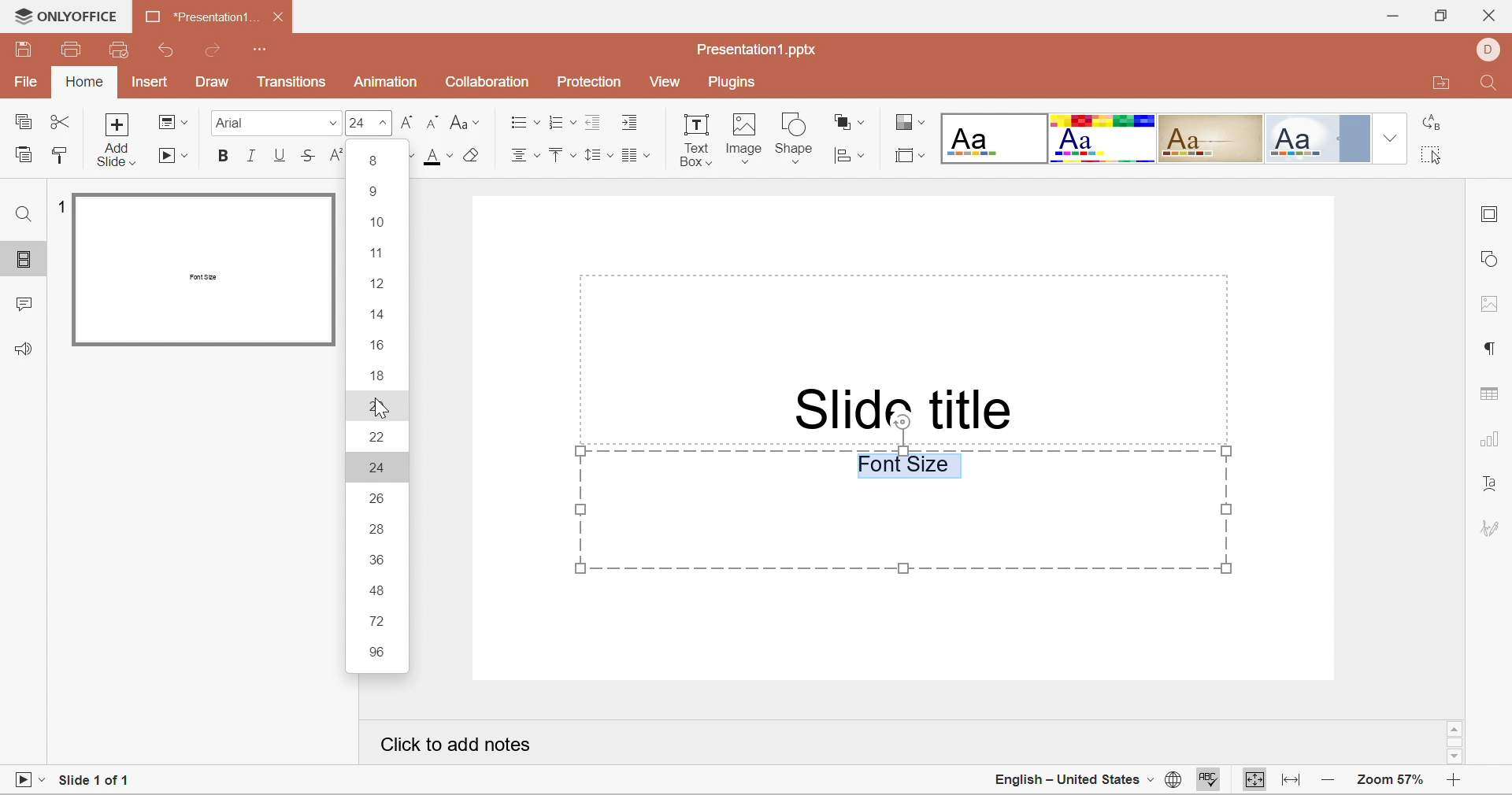  Describe the element at coordinates (563, 158) in the screenshot. I see `Align top` at that location.